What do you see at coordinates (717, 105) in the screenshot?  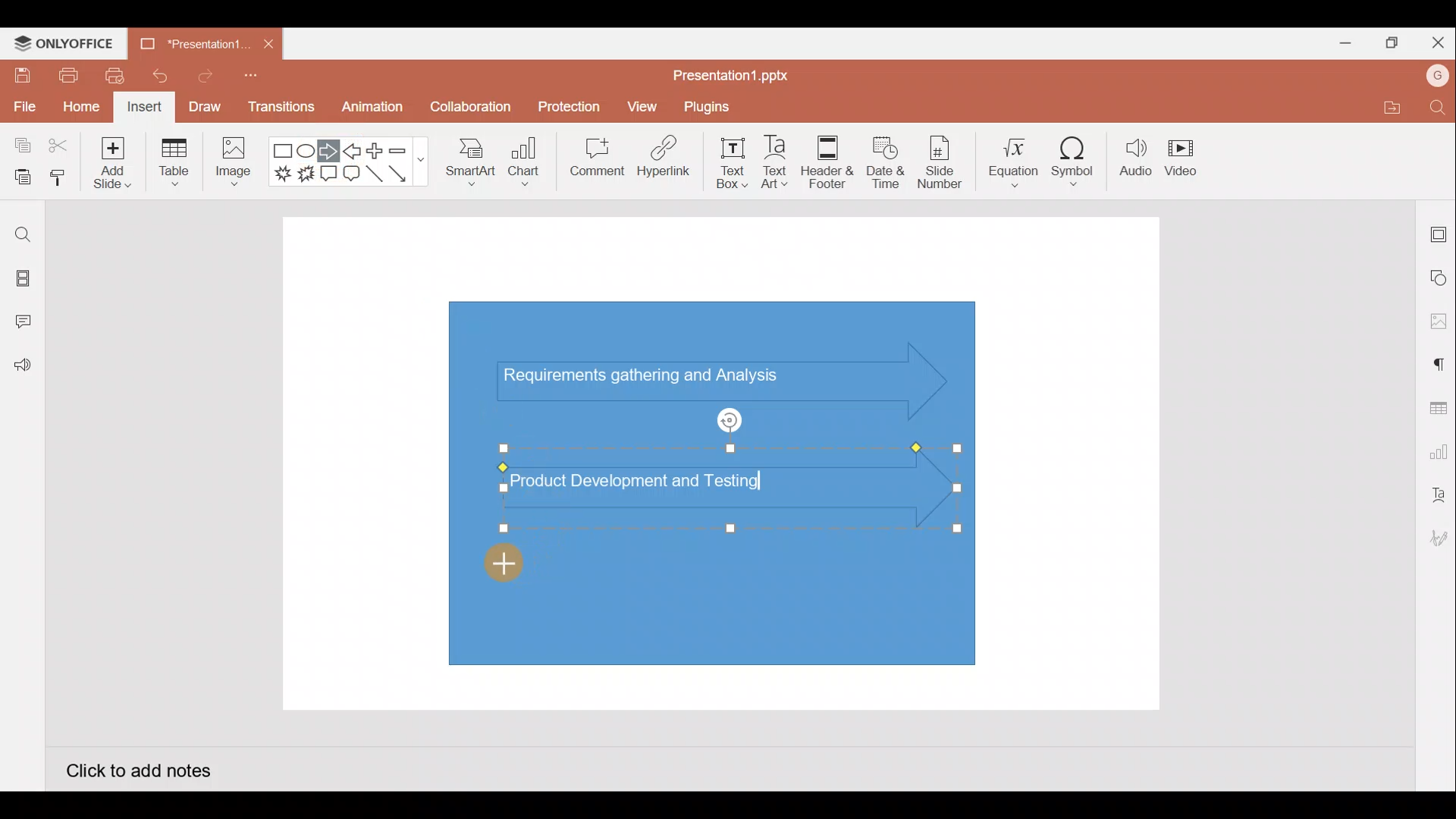 I see `Plugins` at bounding box center [717, 105].